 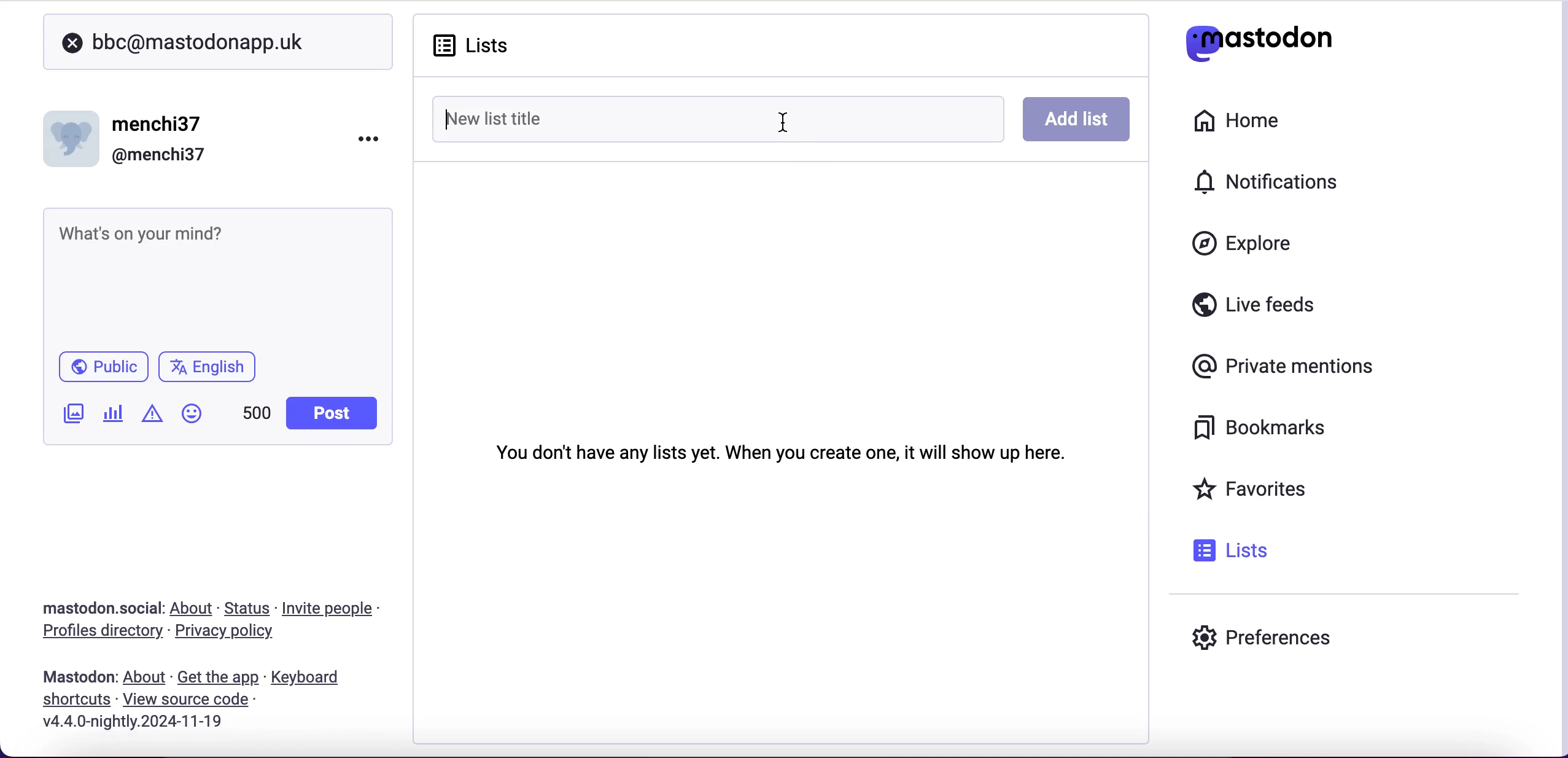 I want to click on explore, so click(x=1254, y=244).